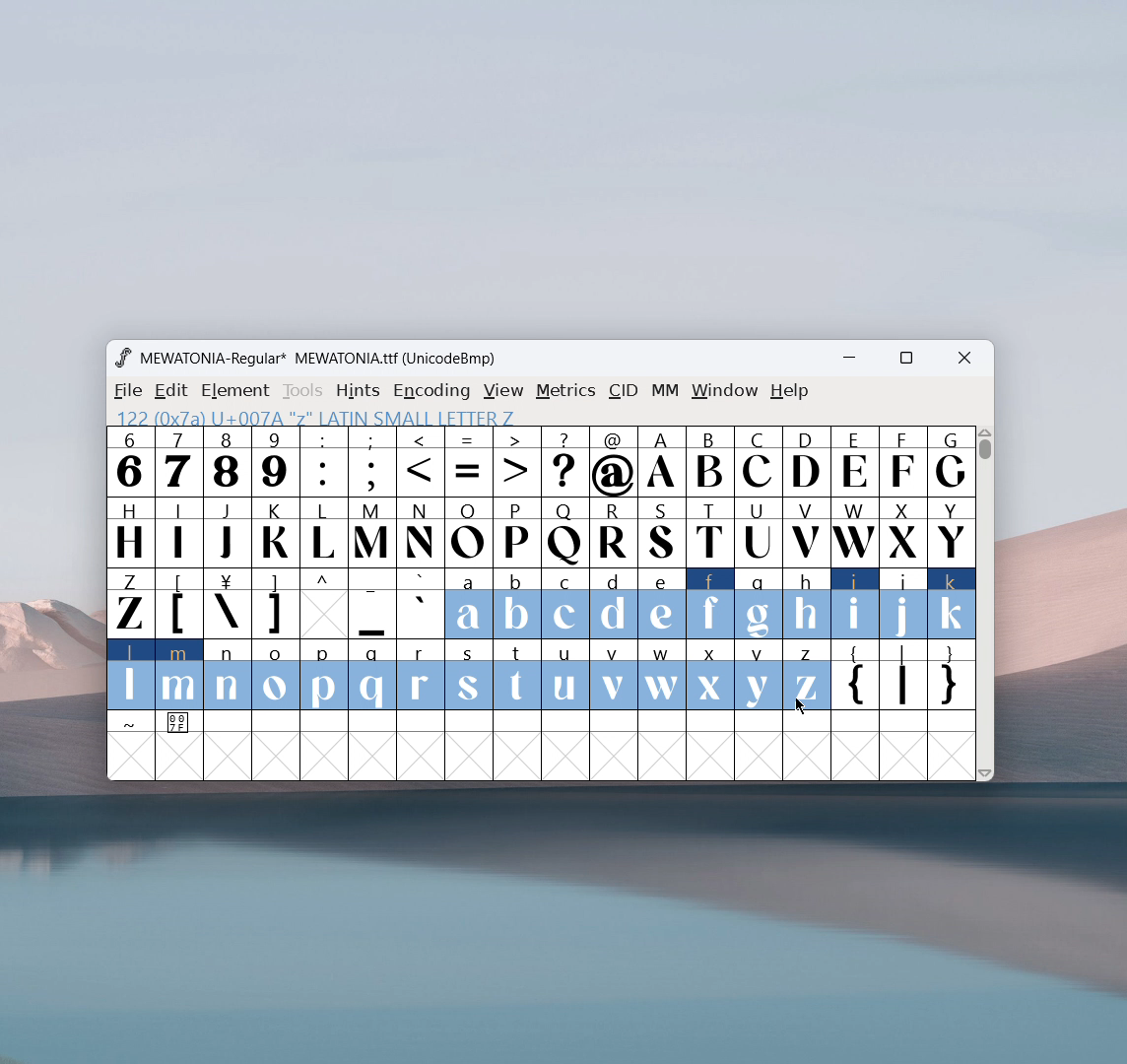 The width and height of the screenshot is (1127, 1064). What do you see at coordinates (178, 531) in the screenshot?
I see `I` at bounding box center [178, 531].